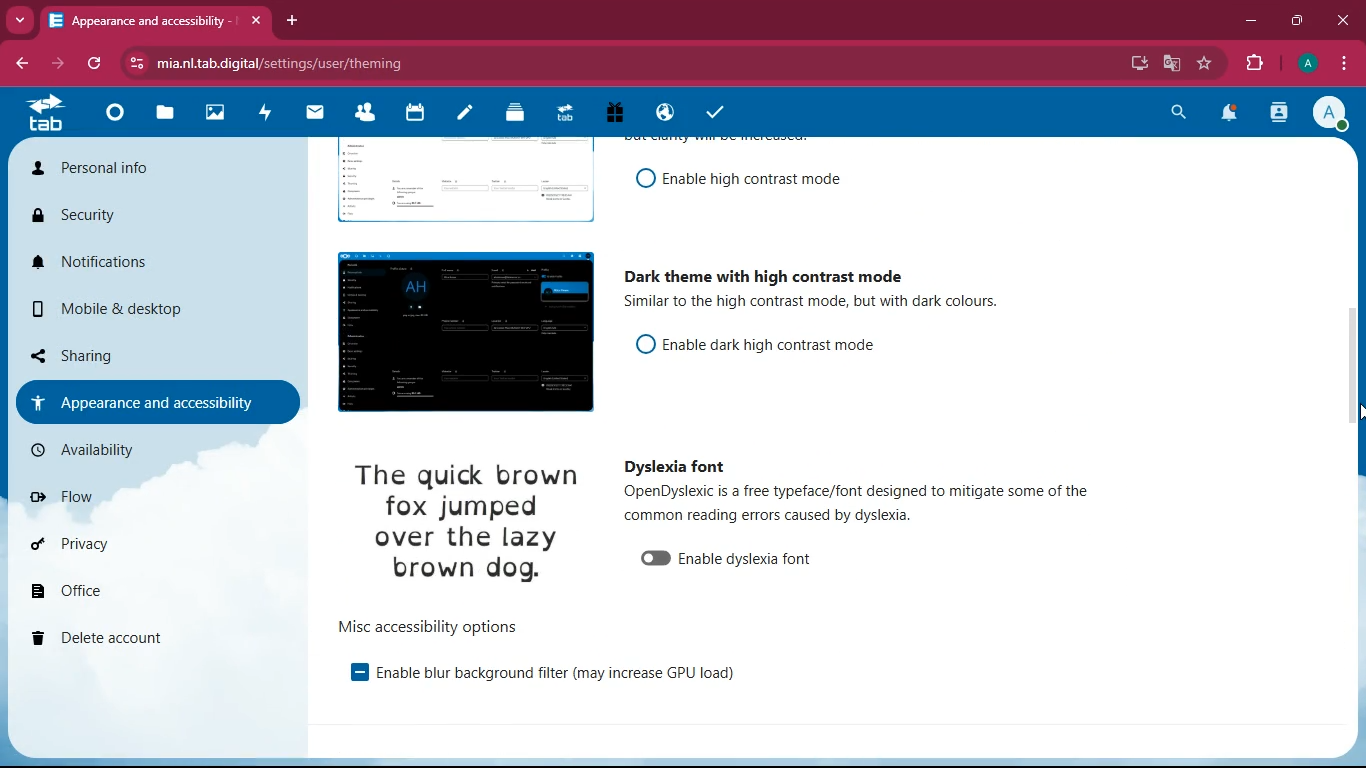 This screenshot has height=768, width=1366. What do you see at coordinates (773, 341) in the screenshot?
I see `enable` at bounding box center [773, 341].